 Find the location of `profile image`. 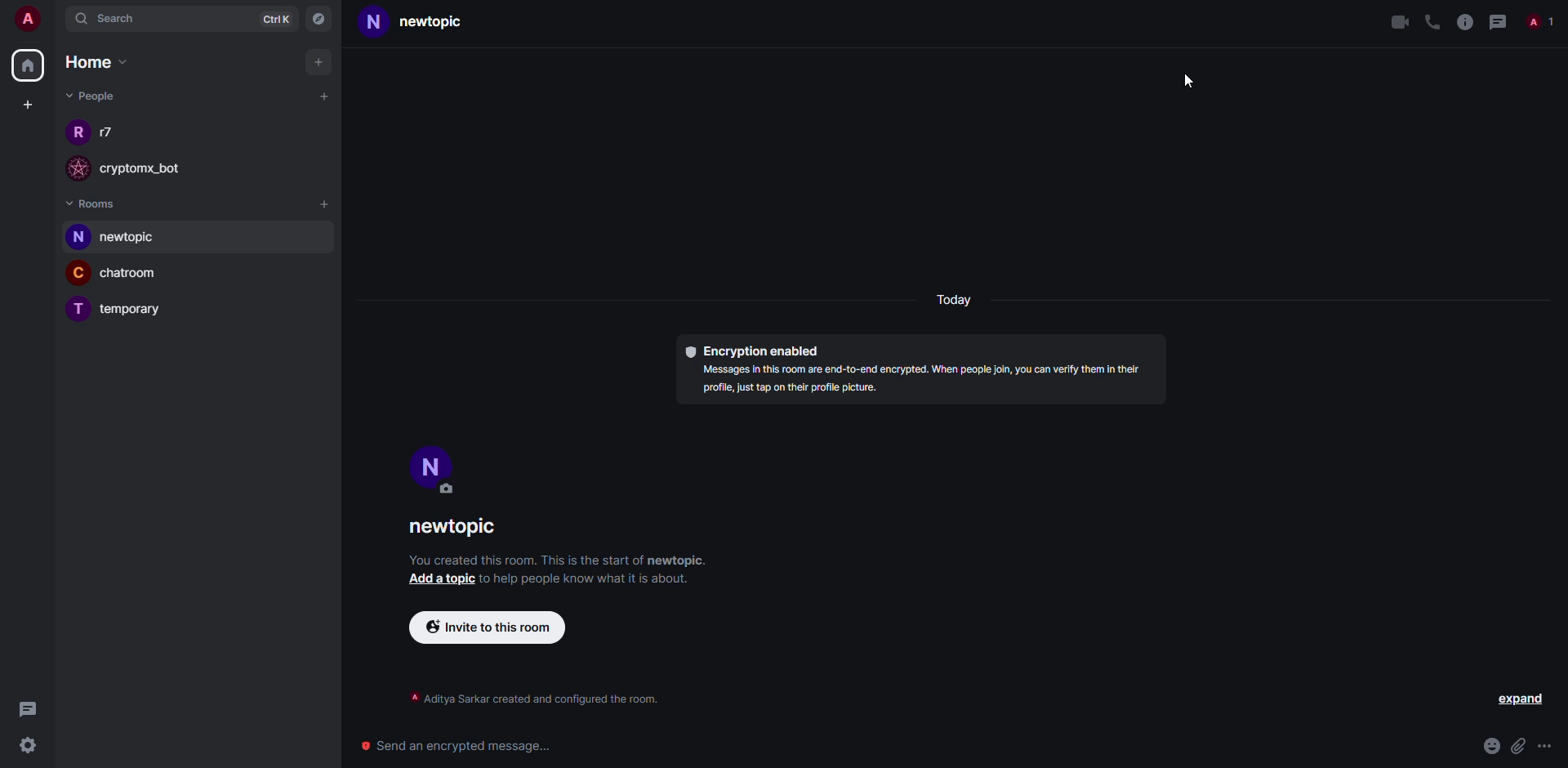

profile image is located at coordinates (78, 272).